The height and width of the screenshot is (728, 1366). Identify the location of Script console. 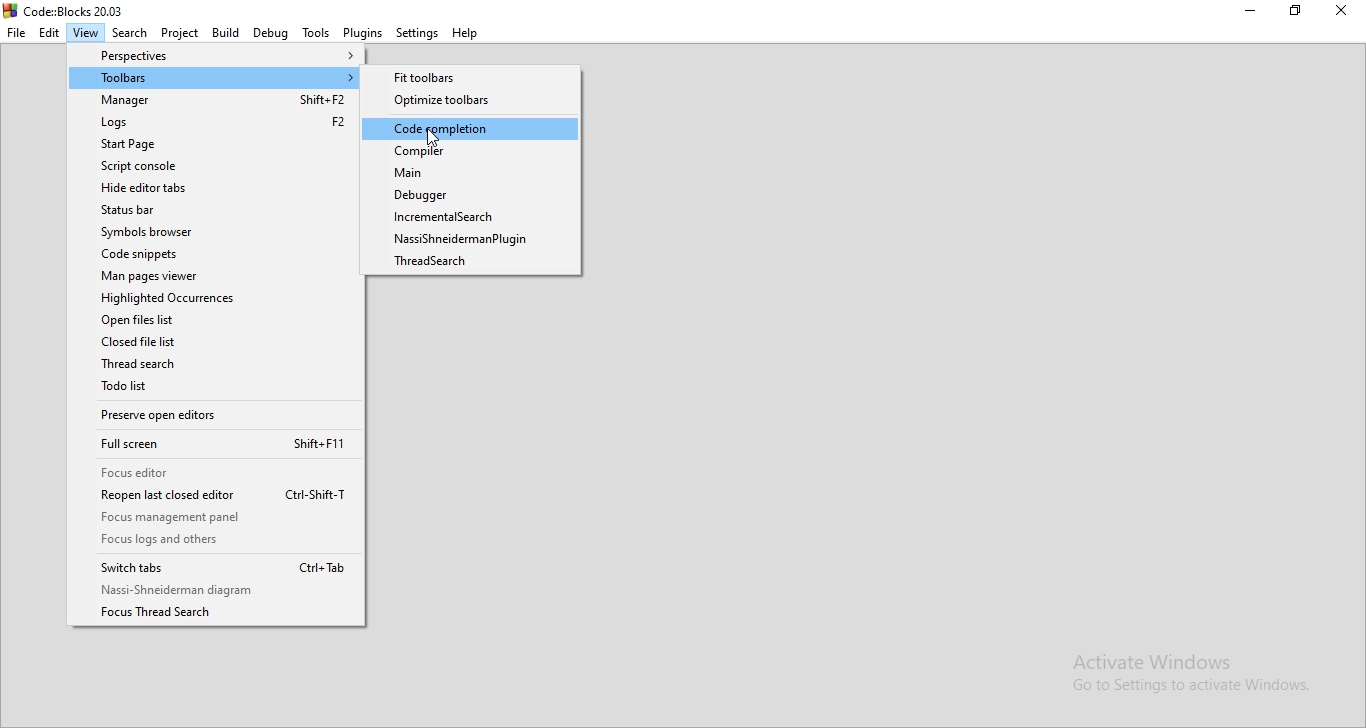
(213, 166).